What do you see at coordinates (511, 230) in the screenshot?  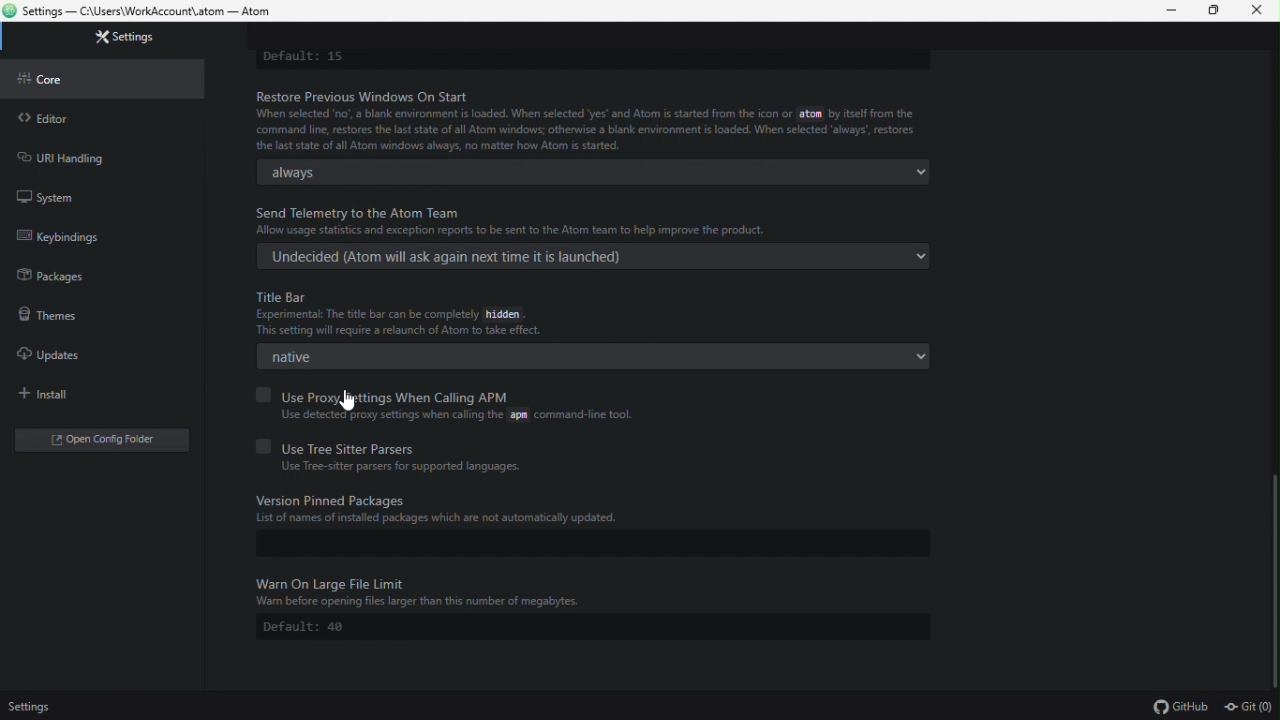 I see `Allow usage statistics and exception reports to be sent to the Atom team to help improve the product.` at bounding box center [511, 230].